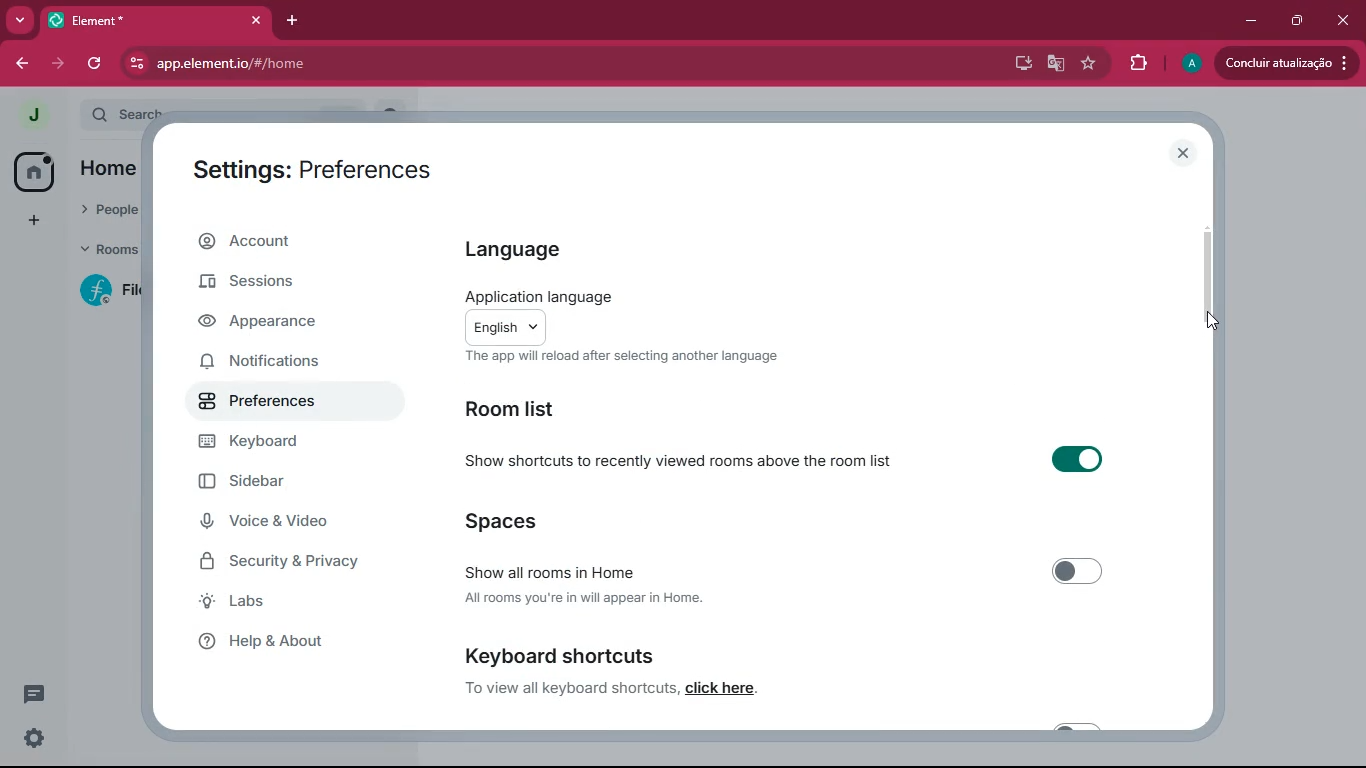 This screenshot has height=768, width=1366. Describe the element at coordinates (1193, 63) in the screenshot. I see `profile` at that location.